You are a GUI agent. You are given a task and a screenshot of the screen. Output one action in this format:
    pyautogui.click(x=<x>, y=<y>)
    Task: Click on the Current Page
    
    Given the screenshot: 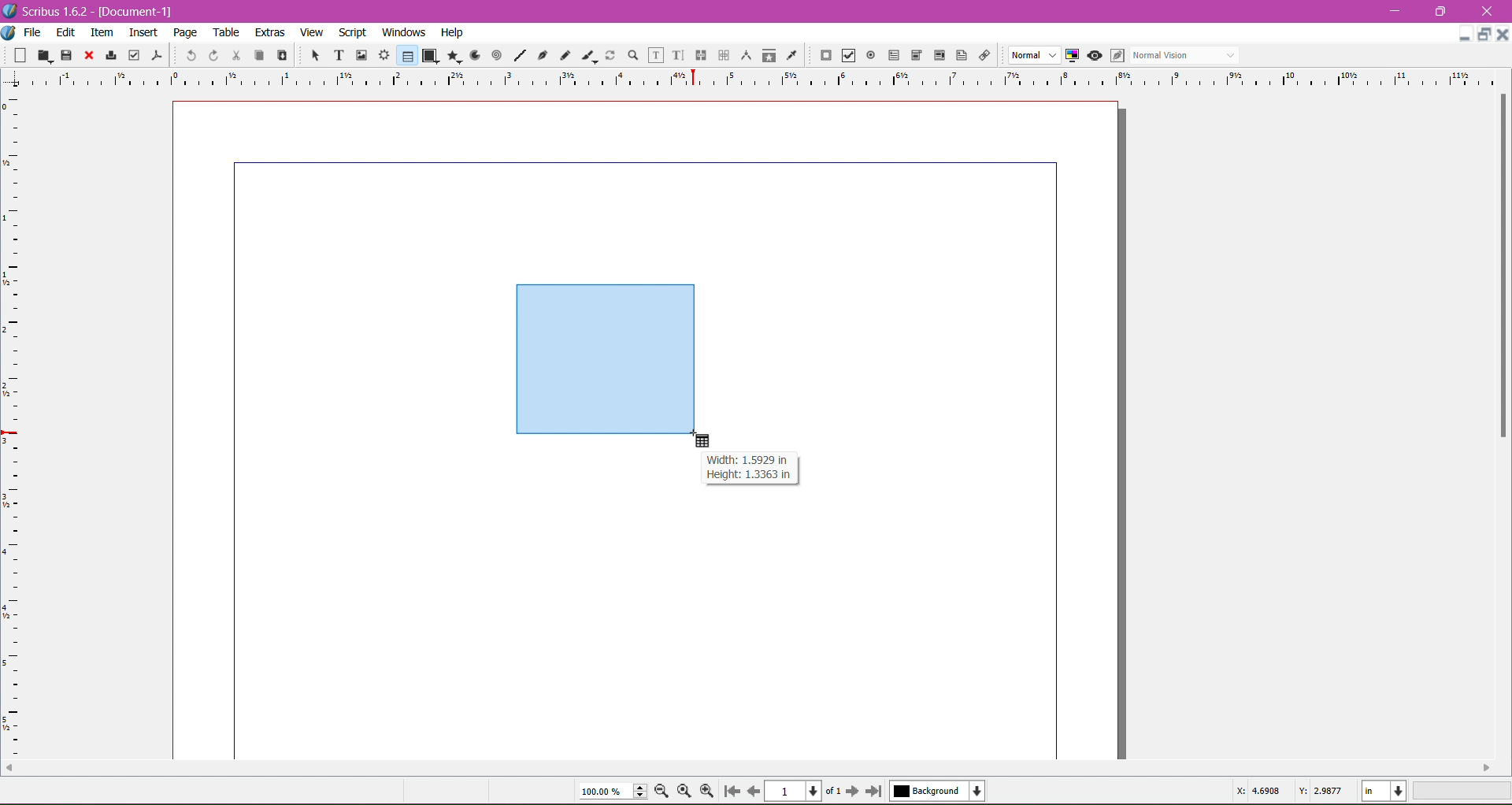 What is the action you would take?
    pyautogui.click(x=795, y=789)
    